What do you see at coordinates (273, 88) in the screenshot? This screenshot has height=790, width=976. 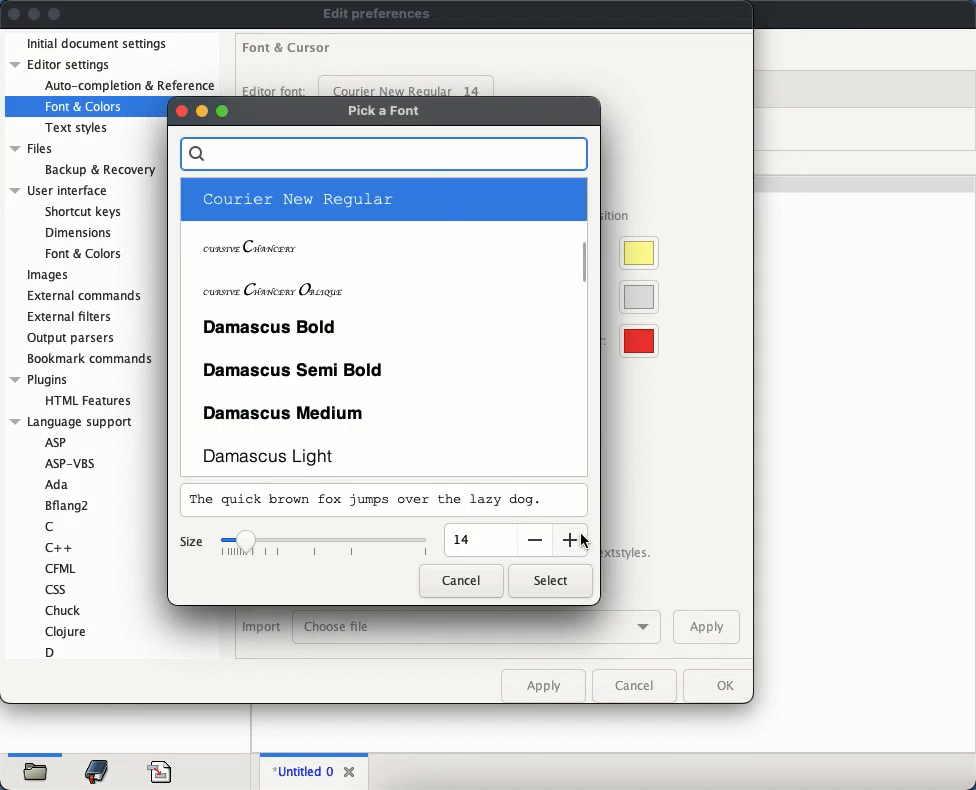 I see `editor font` at bounding box center [273, 88].